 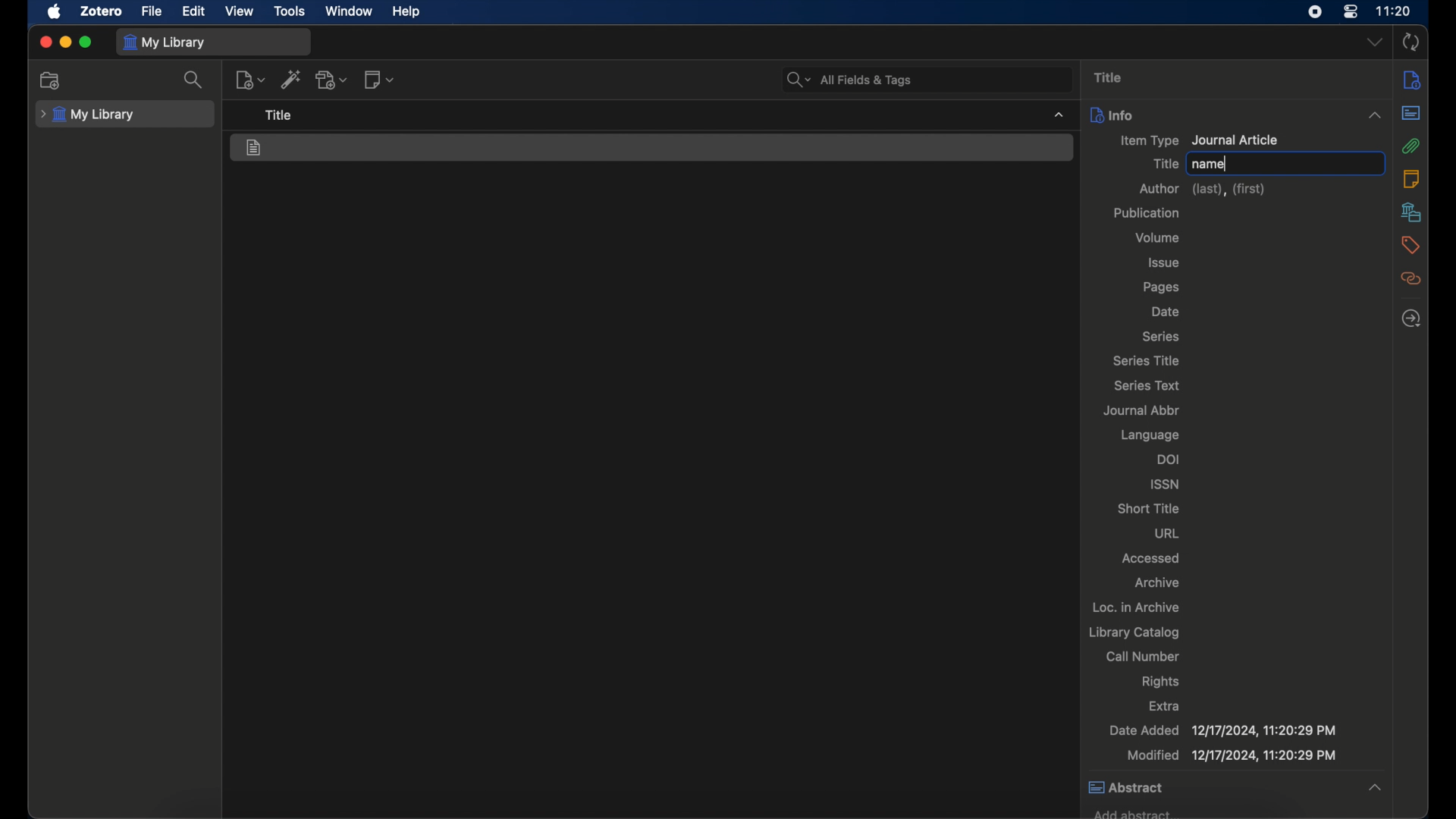 I want to click on info, so click(x=1409, y=79).